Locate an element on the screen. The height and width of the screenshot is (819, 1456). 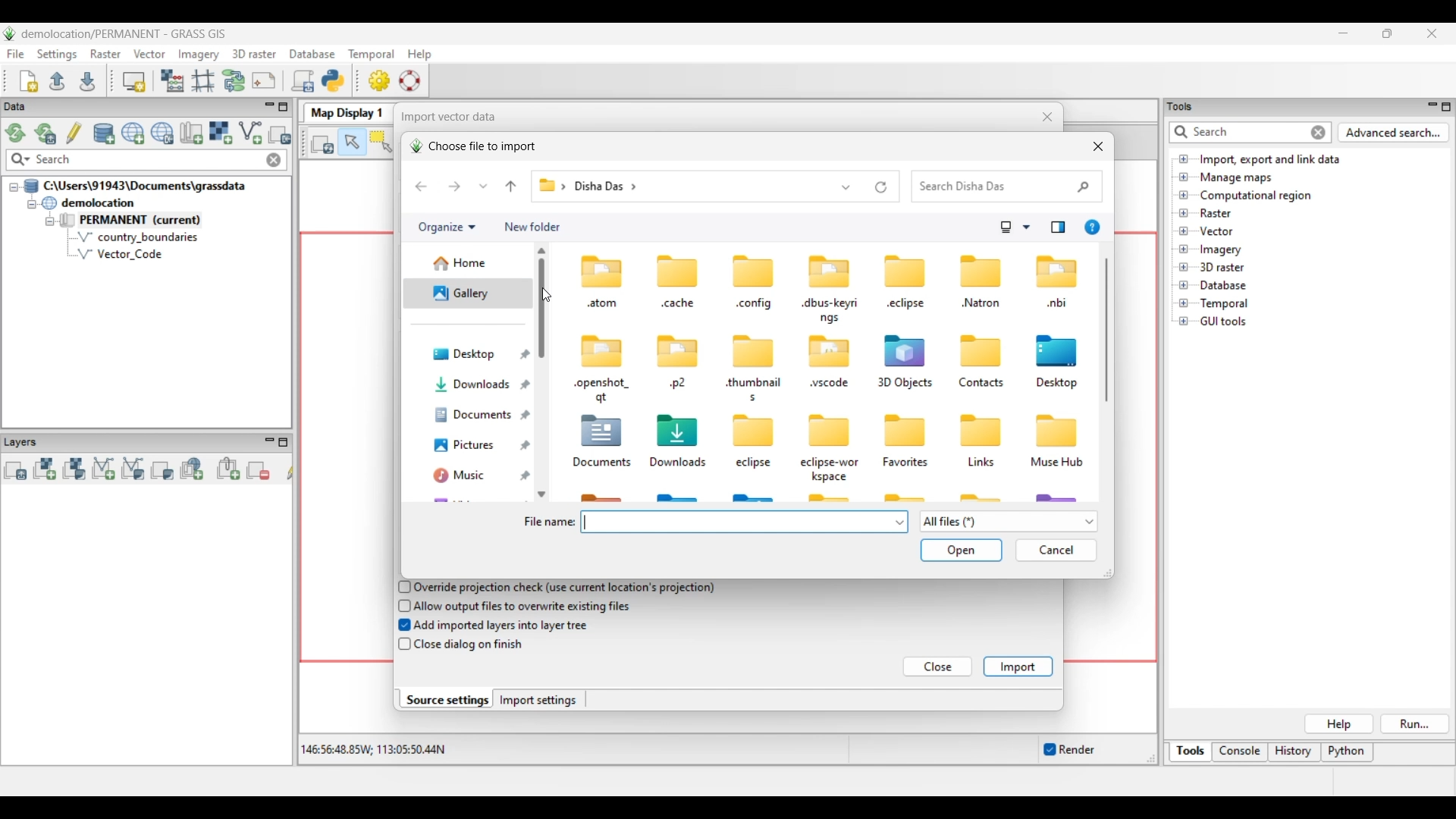
Minimize Layers panel is located at coordinates (269, 442).